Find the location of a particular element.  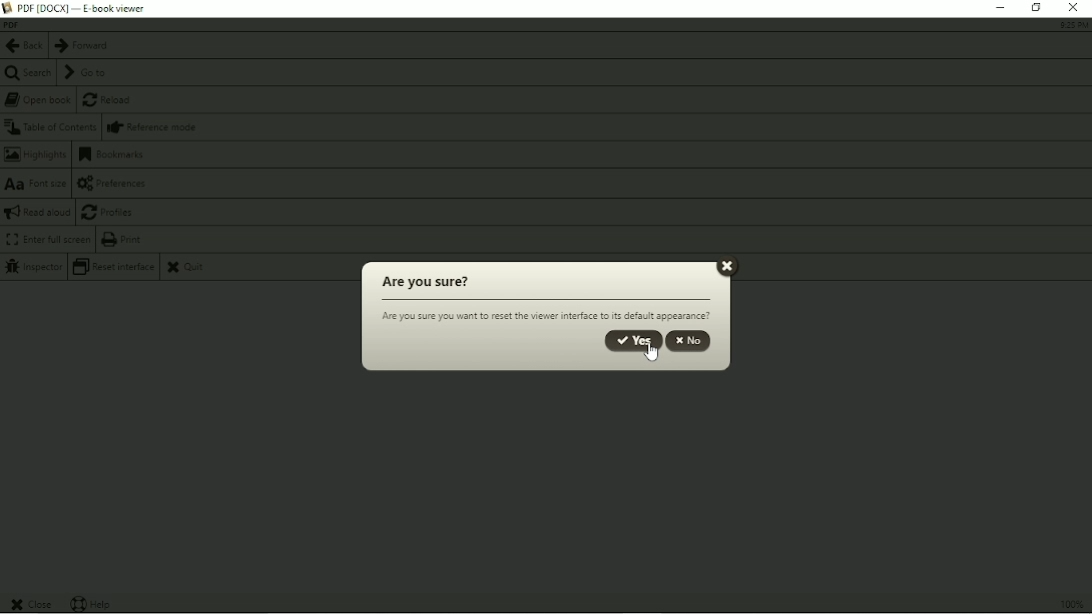

Quit is located at coordinates (189, 268).